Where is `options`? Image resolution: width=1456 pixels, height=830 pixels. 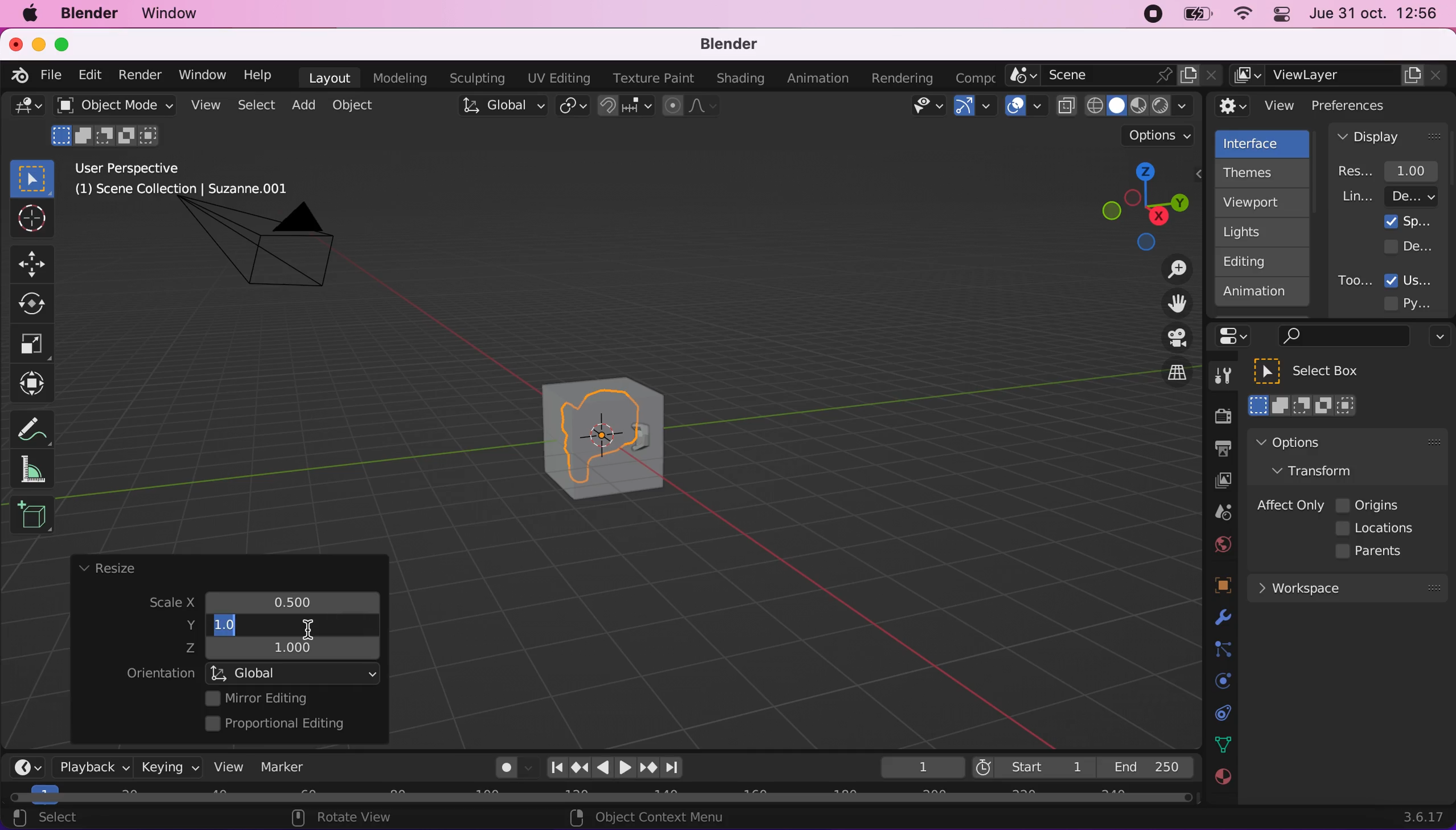
options is located at coordinates (1160, 136).